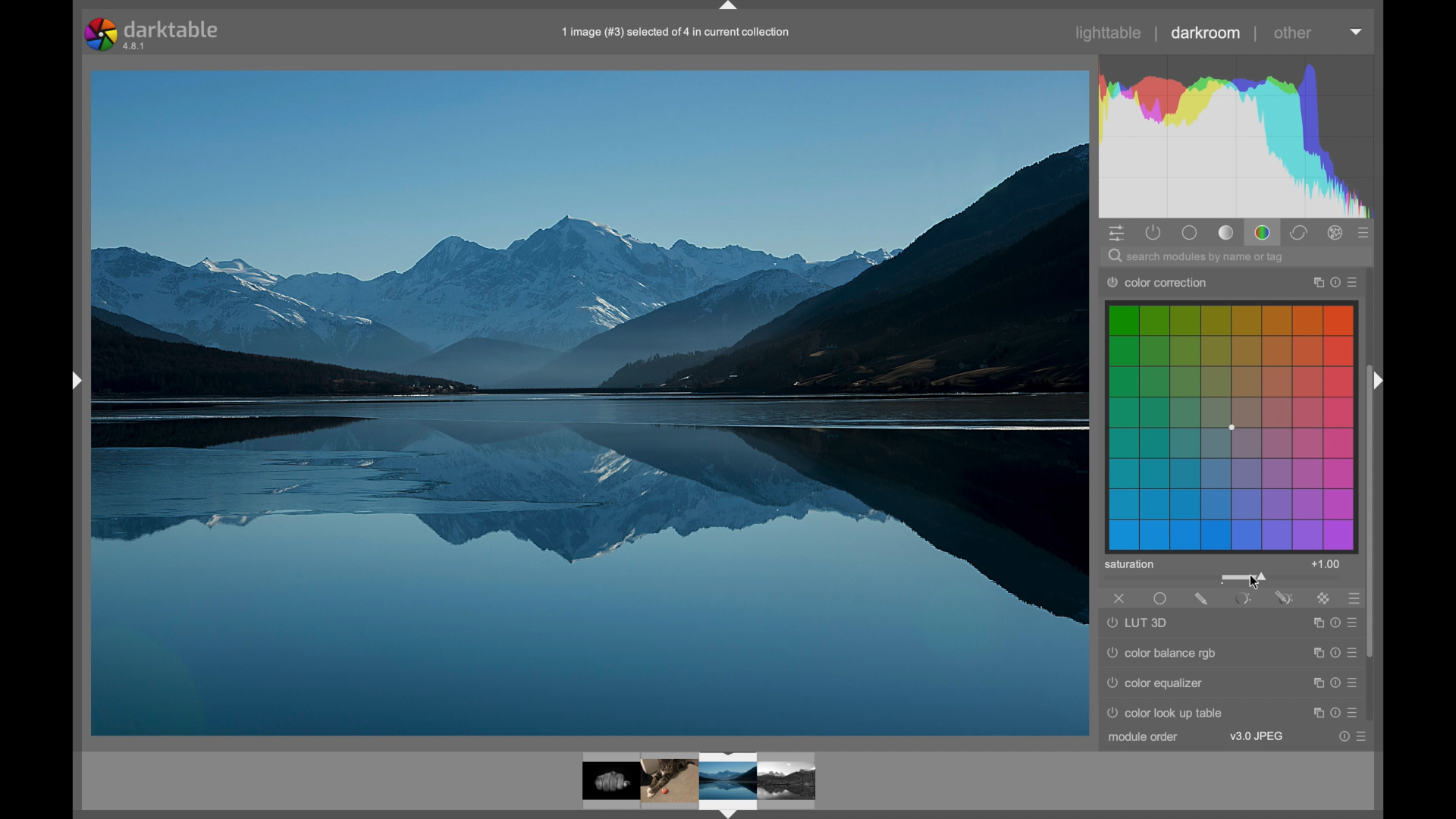  Describe the element at coordinates (1301, 234) in the screenshot. I see `correct` at that location.